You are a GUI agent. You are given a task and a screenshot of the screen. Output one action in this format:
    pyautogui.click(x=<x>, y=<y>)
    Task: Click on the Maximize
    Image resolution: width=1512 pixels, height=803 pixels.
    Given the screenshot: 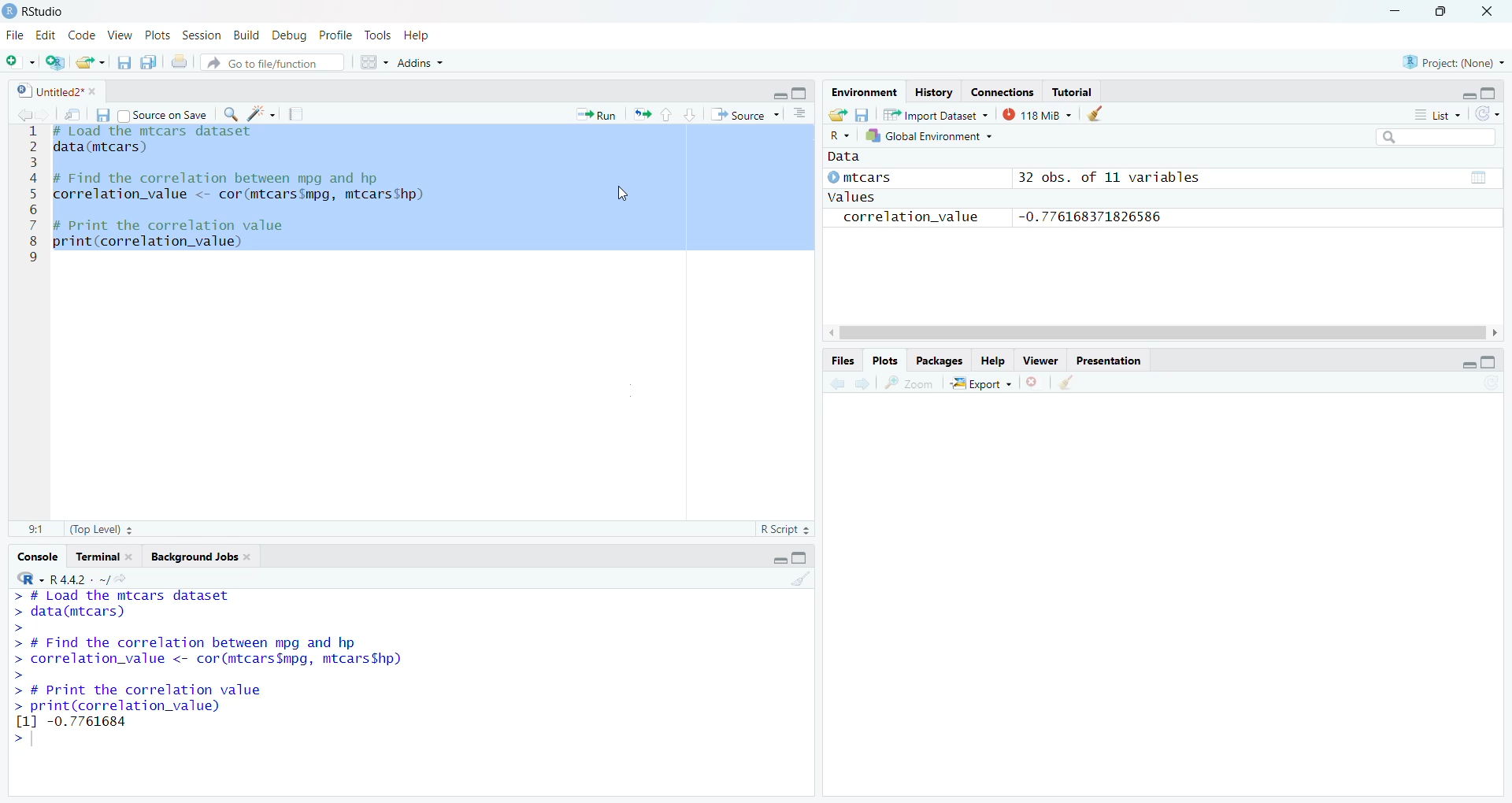 What is the action you would take?
    pyautogui.click(x=803, y=557)
    